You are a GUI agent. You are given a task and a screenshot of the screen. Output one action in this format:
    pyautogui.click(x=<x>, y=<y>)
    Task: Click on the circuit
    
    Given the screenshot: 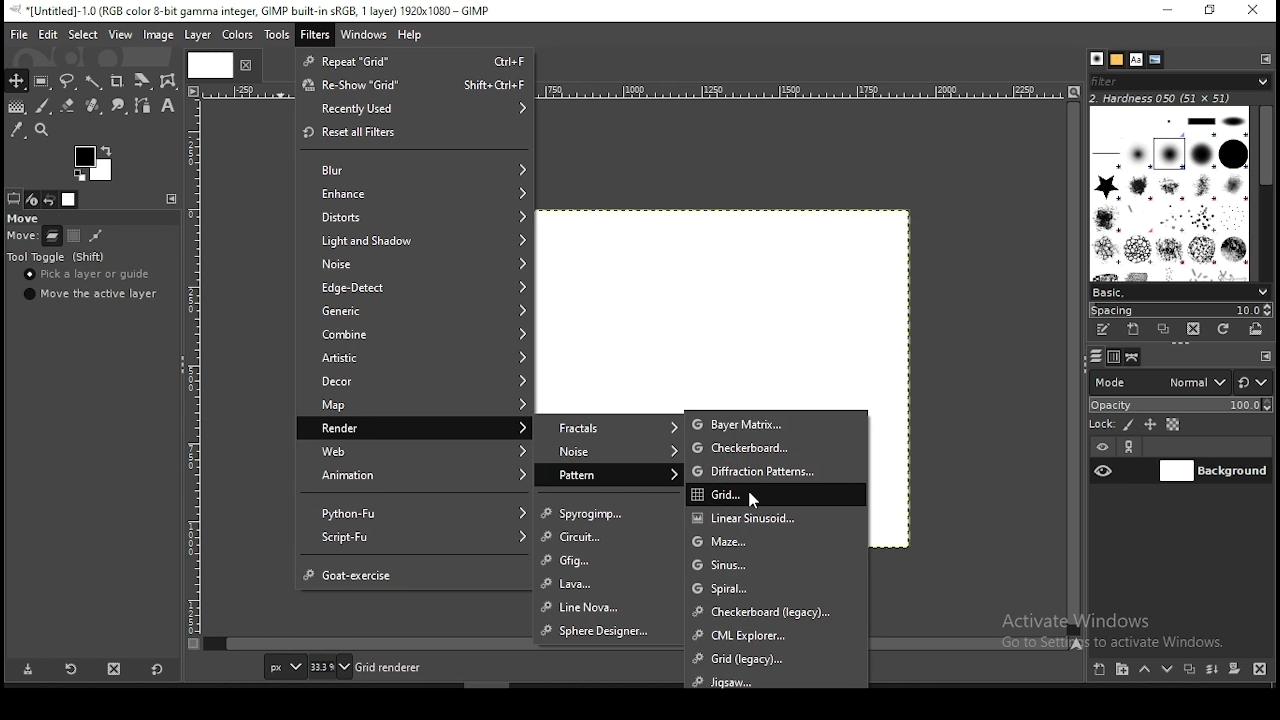 What is the action you would take?
    pyautogui.click(x=609, y=536)
    